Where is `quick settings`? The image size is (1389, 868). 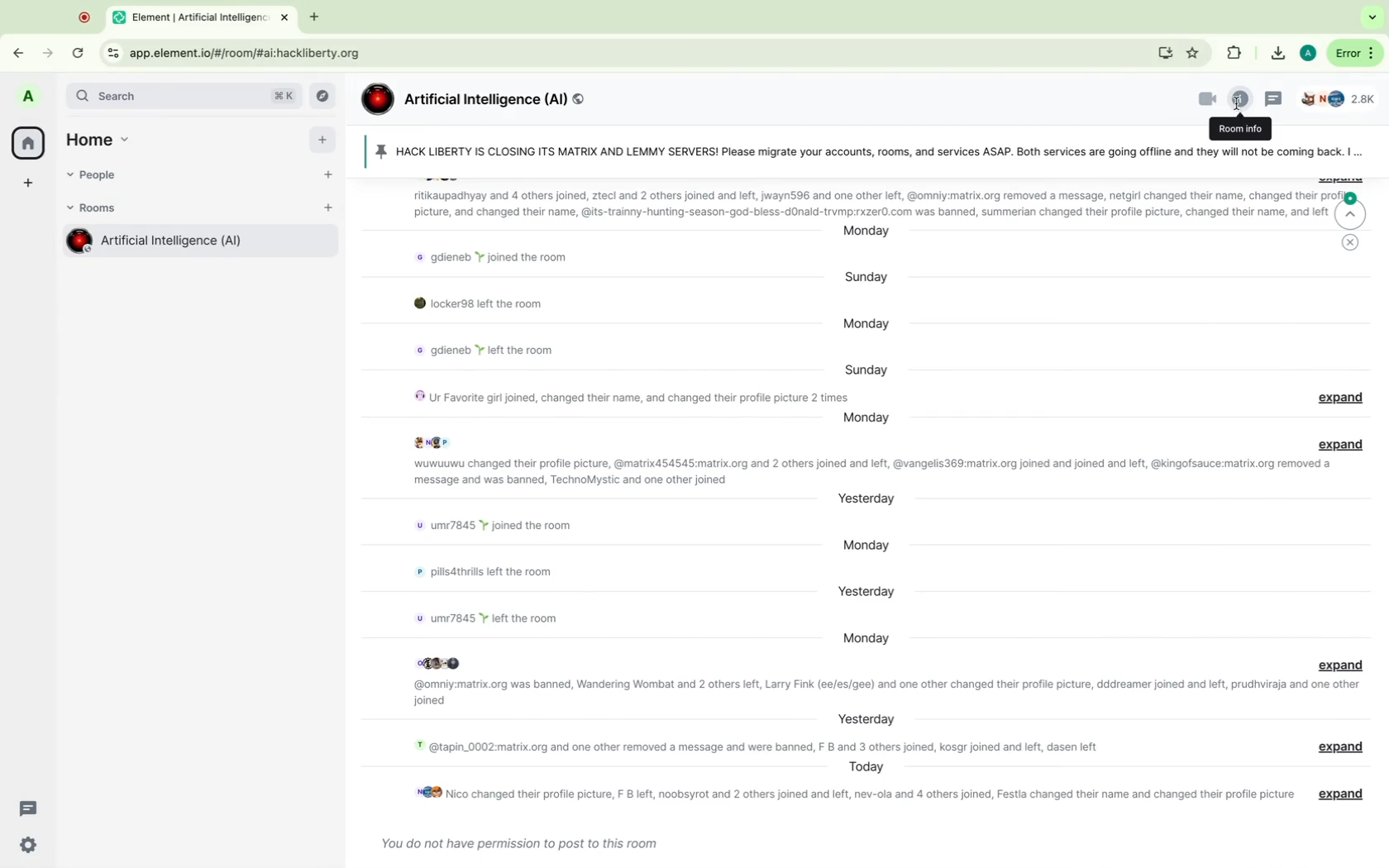 quick settings is located at coordinates (29, 846).